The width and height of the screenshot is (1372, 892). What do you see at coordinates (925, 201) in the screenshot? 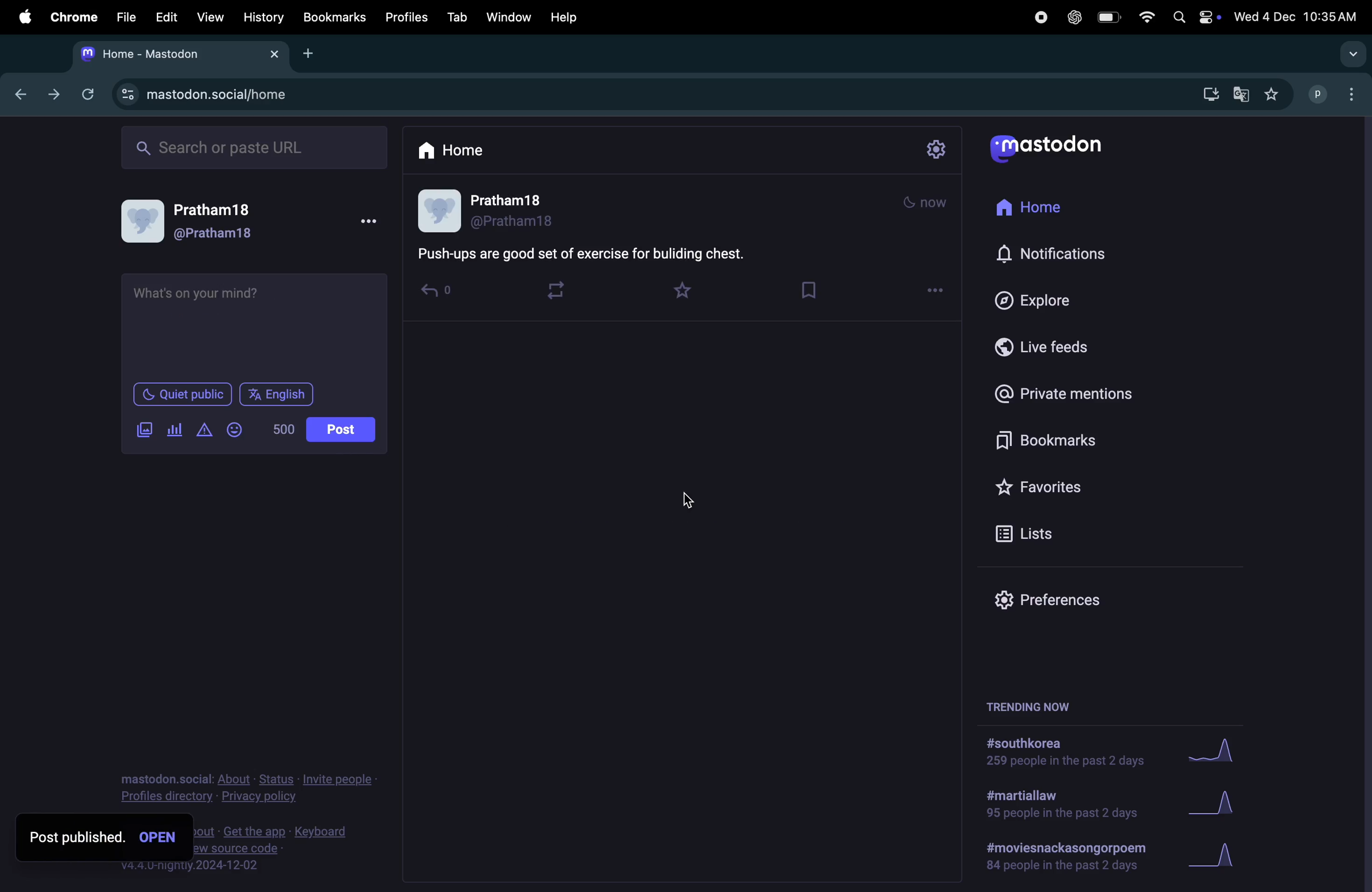
I see `dark mode` at bounding box center [925, 201].